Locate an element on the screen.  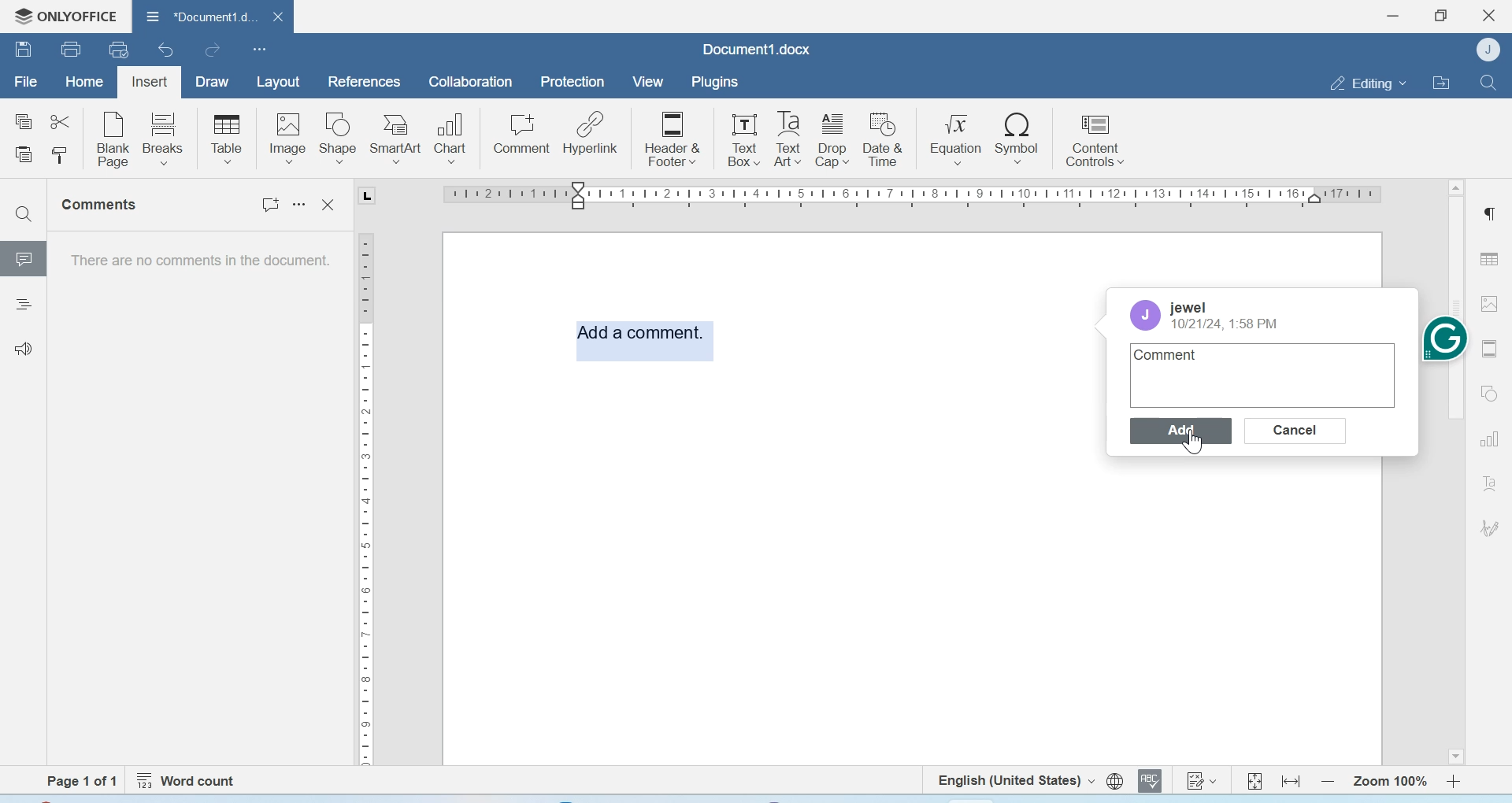
Shapes is located at coordinates (1492, 392).